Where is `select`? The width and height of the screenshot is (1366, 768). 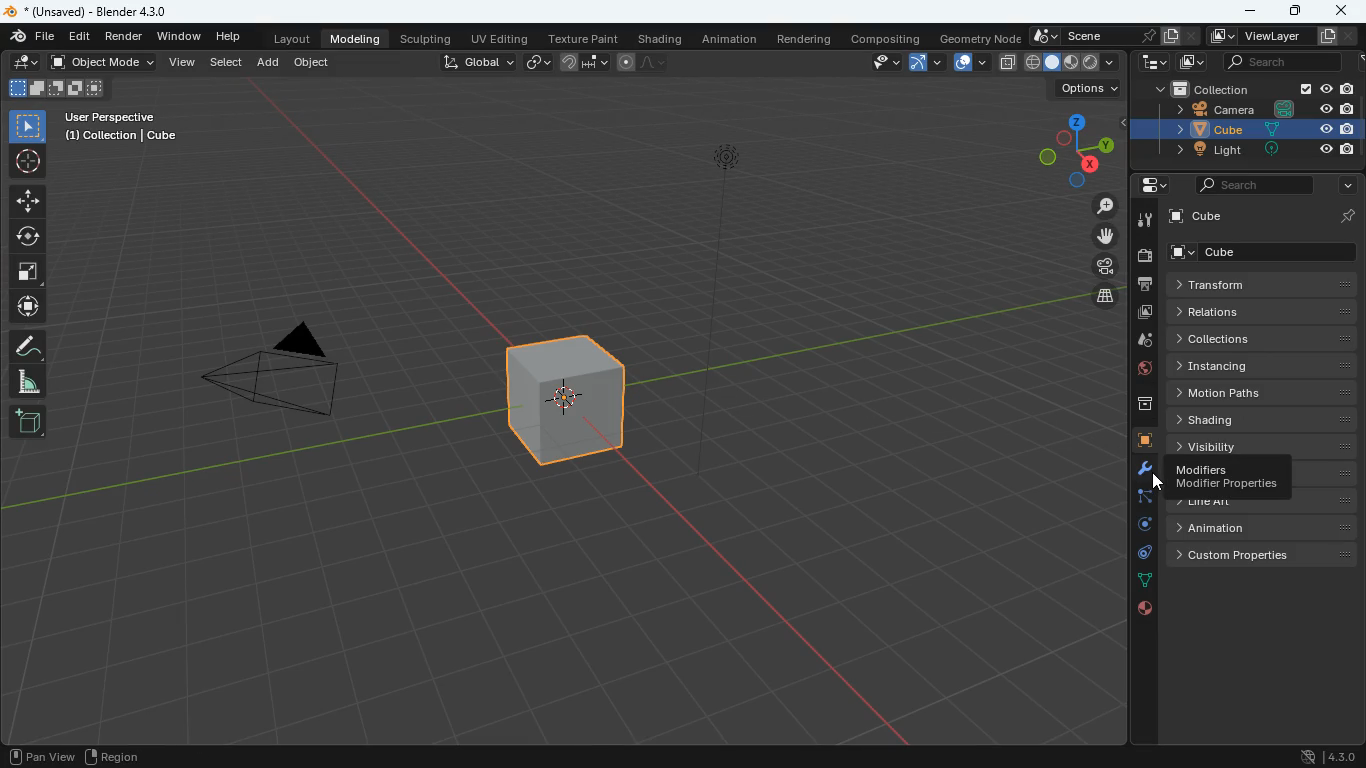
select is located at coordinates (31, 124).